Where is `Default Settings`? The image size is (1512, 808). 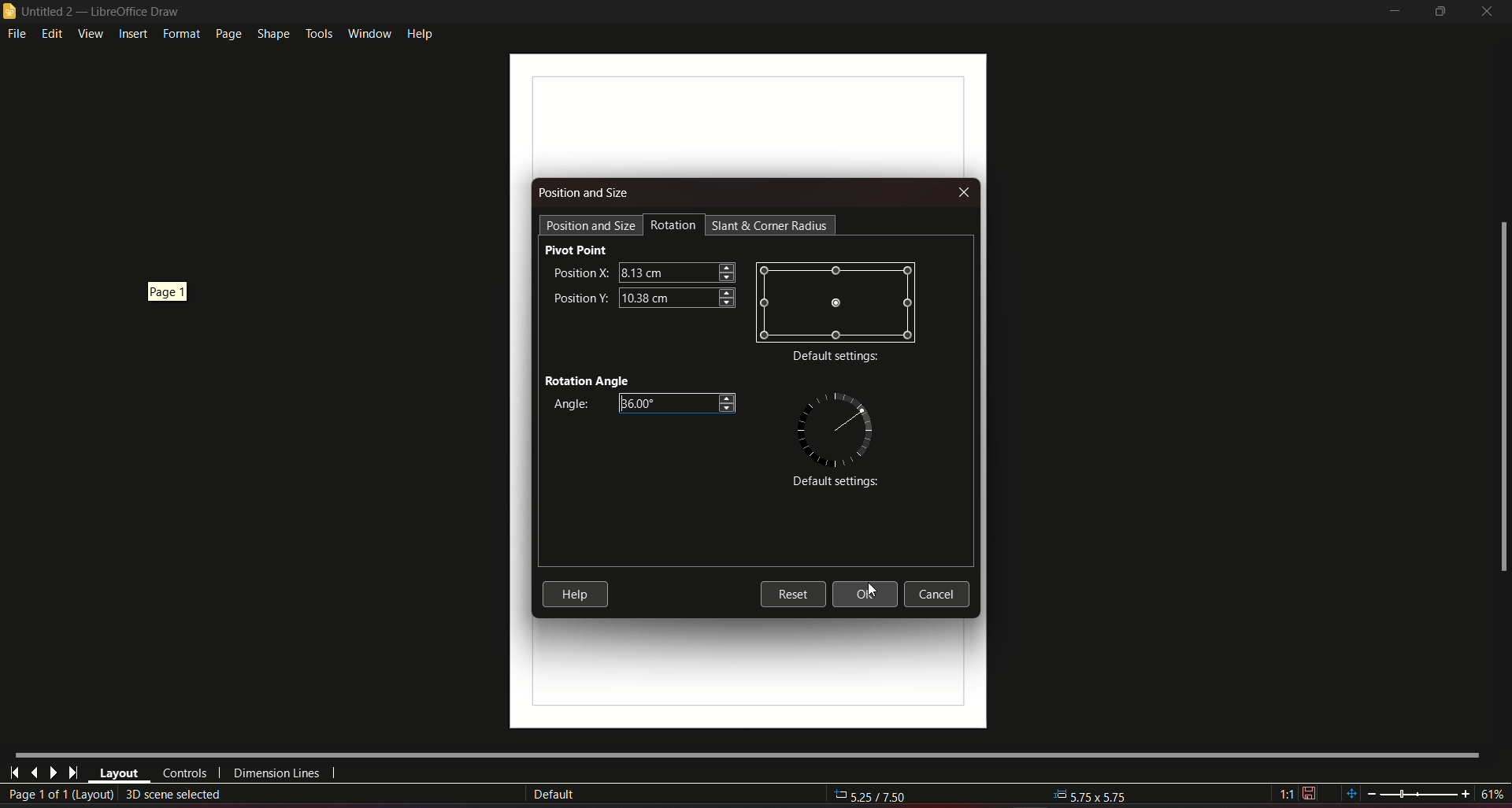 Default Settings is located at coordinates (832, 483).